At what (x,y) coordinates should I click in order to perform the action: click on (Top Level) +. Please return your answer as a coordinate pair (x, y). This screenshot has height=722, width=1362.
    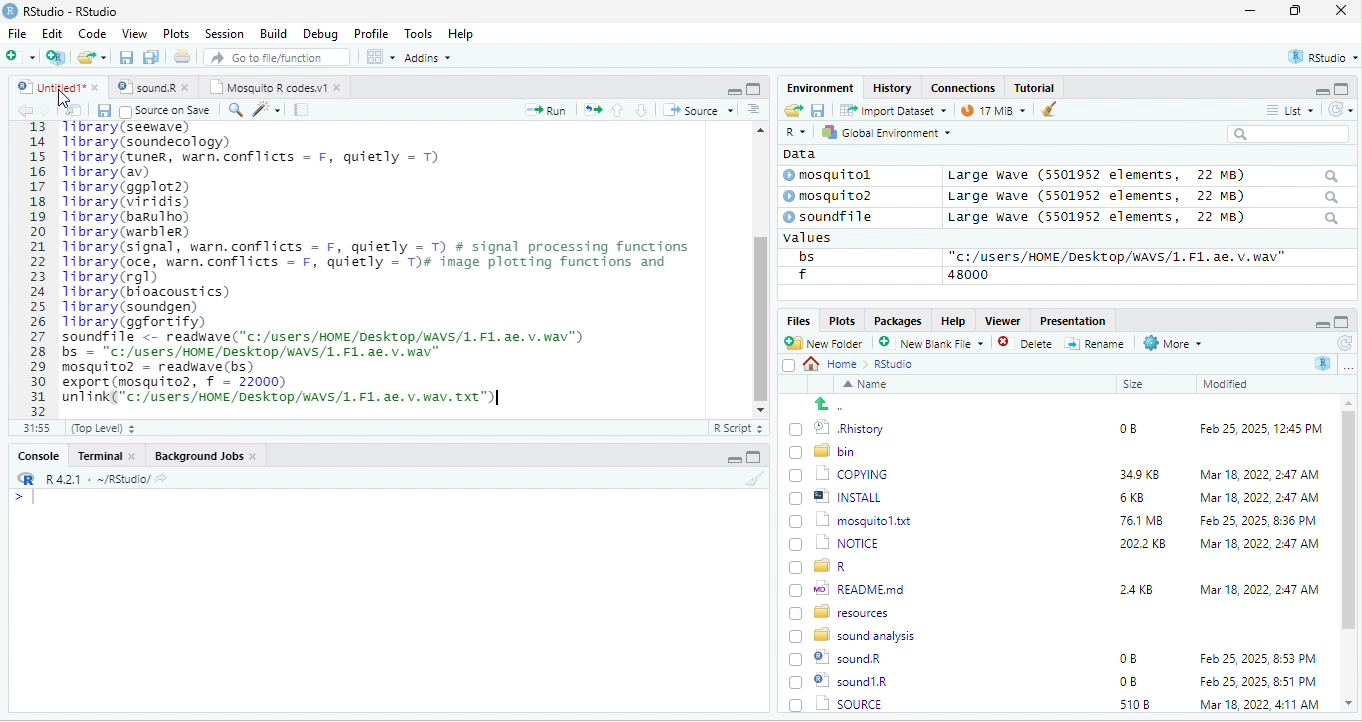
    Looking at the image, I should click on (103, 428).